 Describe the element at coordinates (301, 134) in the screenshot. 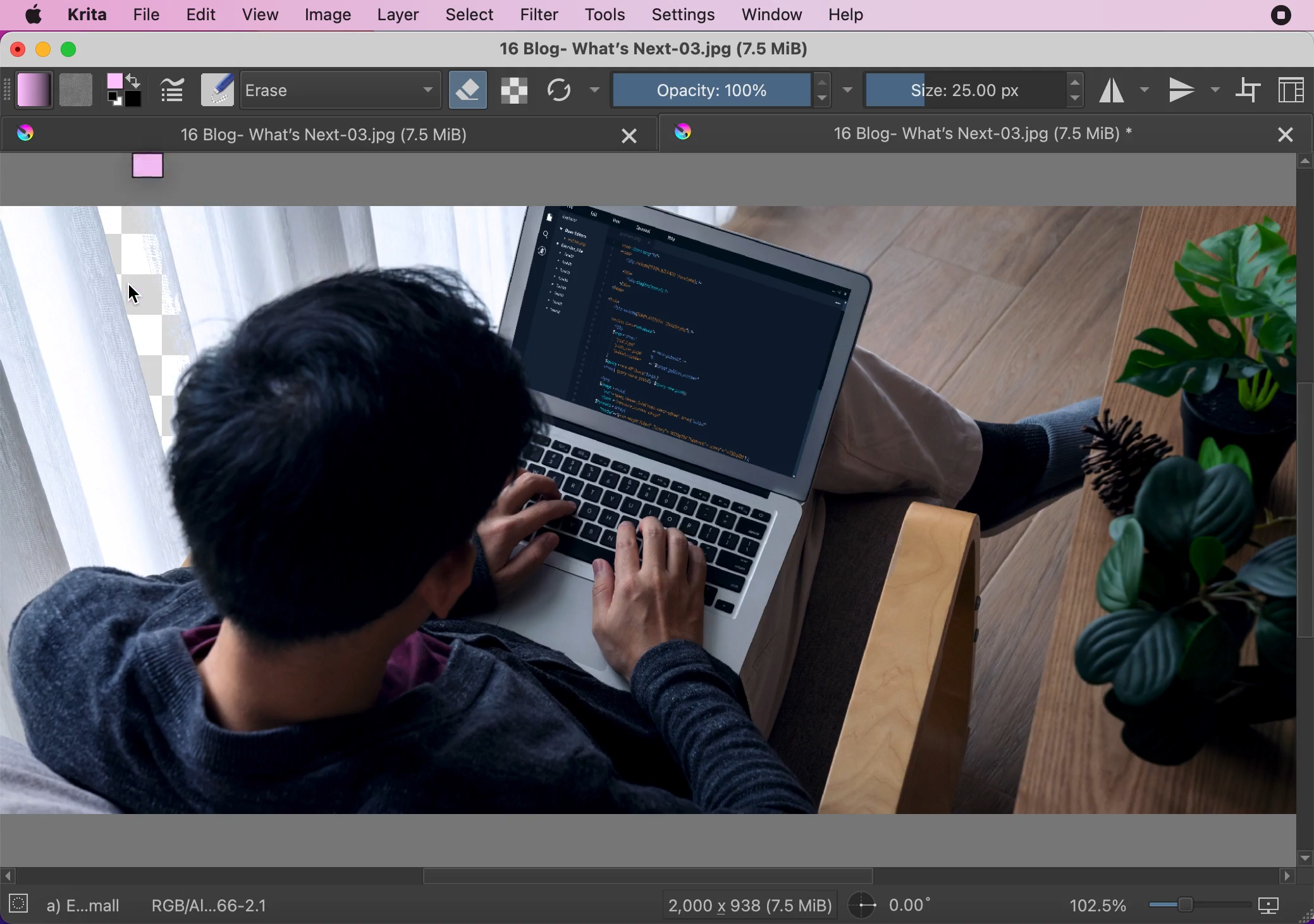

I see `16 Blog- What's Next-03.jpg (7.5 MiB)` at that location.